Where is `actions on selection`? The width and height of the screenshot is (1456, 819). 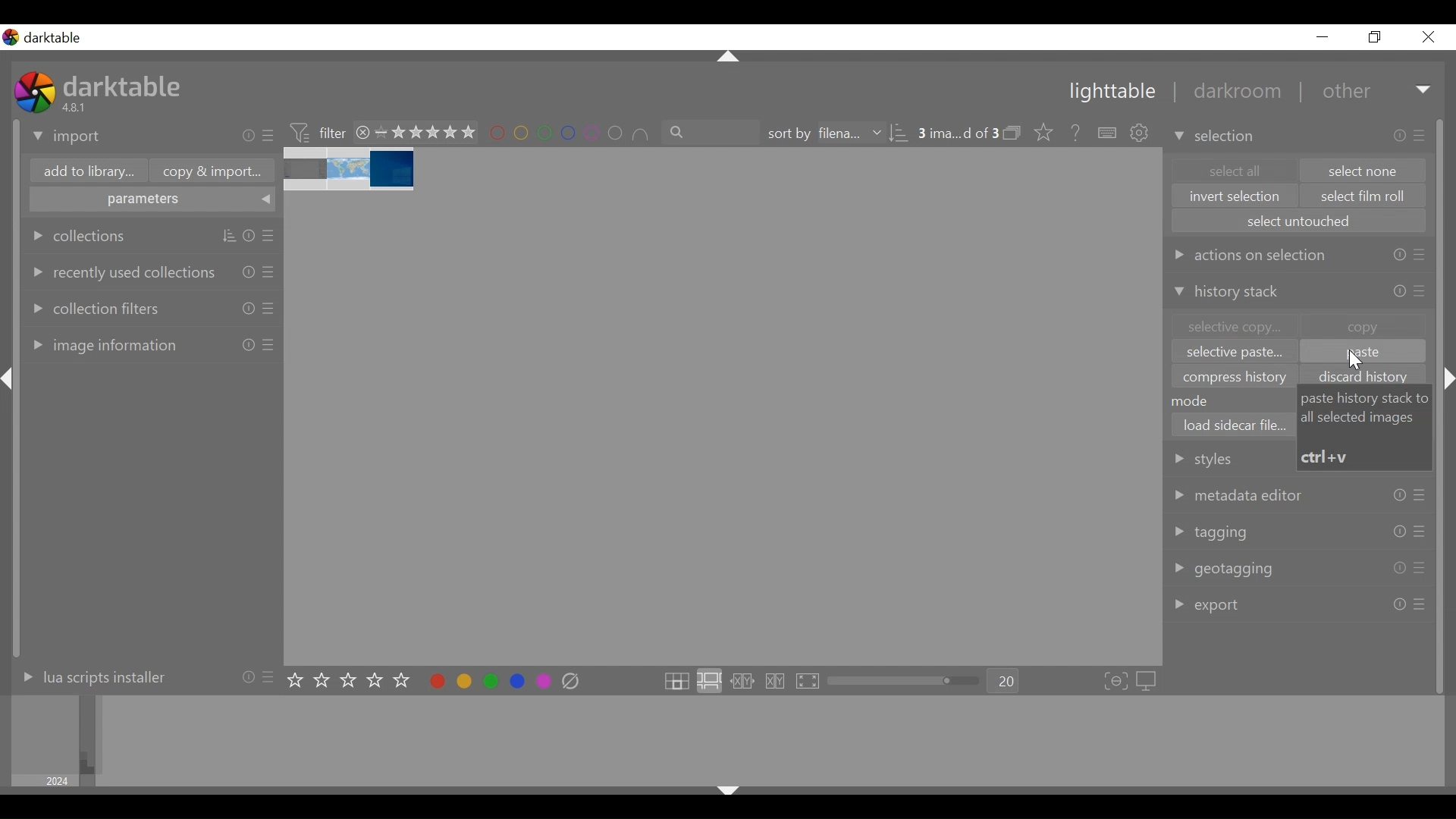
actions on selection is located at coordinates (1249, 254).